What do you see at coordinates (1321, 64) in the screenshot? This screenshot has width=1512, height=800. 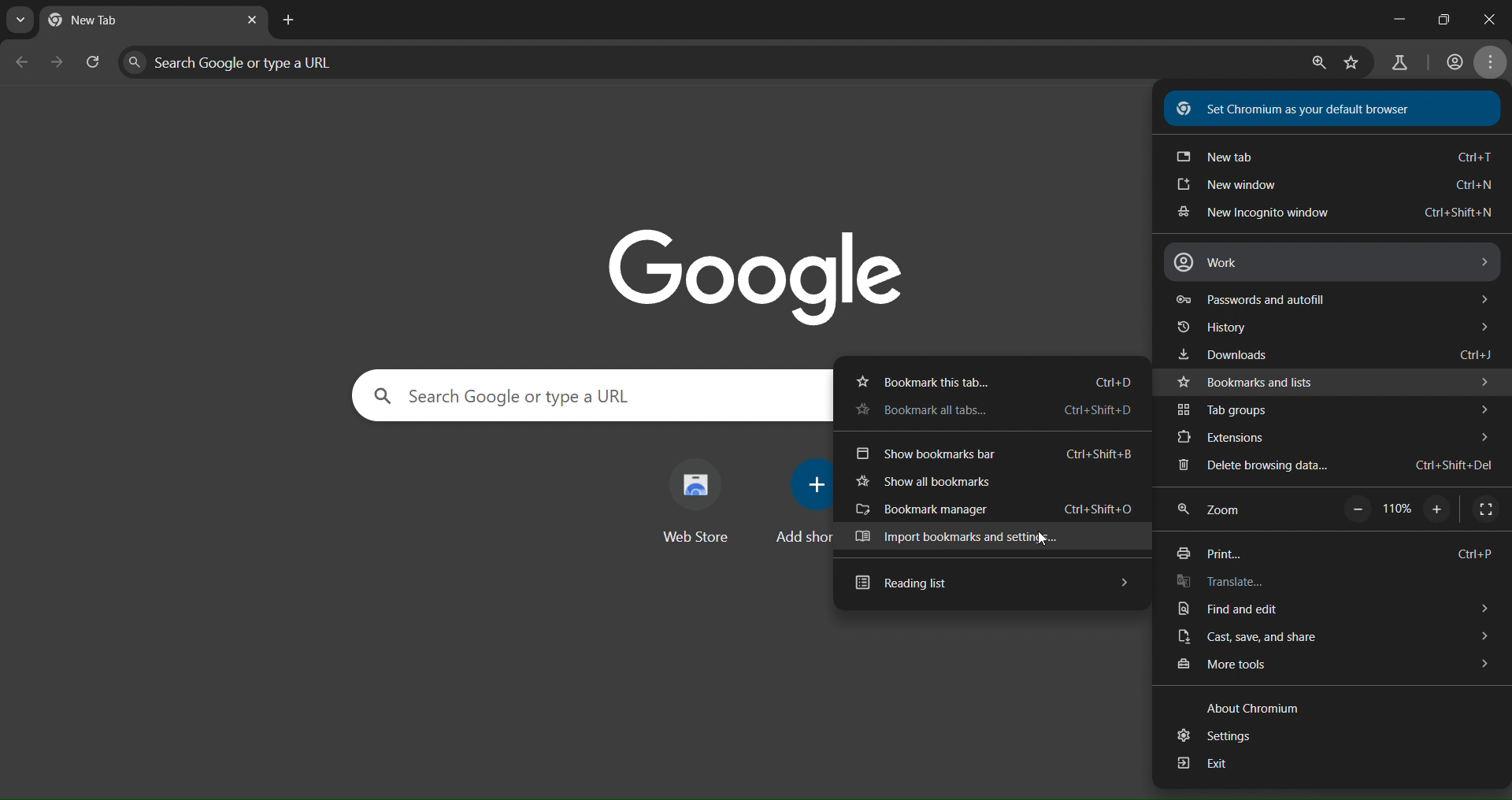 I see `zoom ` at bounding box center [1321, 64].